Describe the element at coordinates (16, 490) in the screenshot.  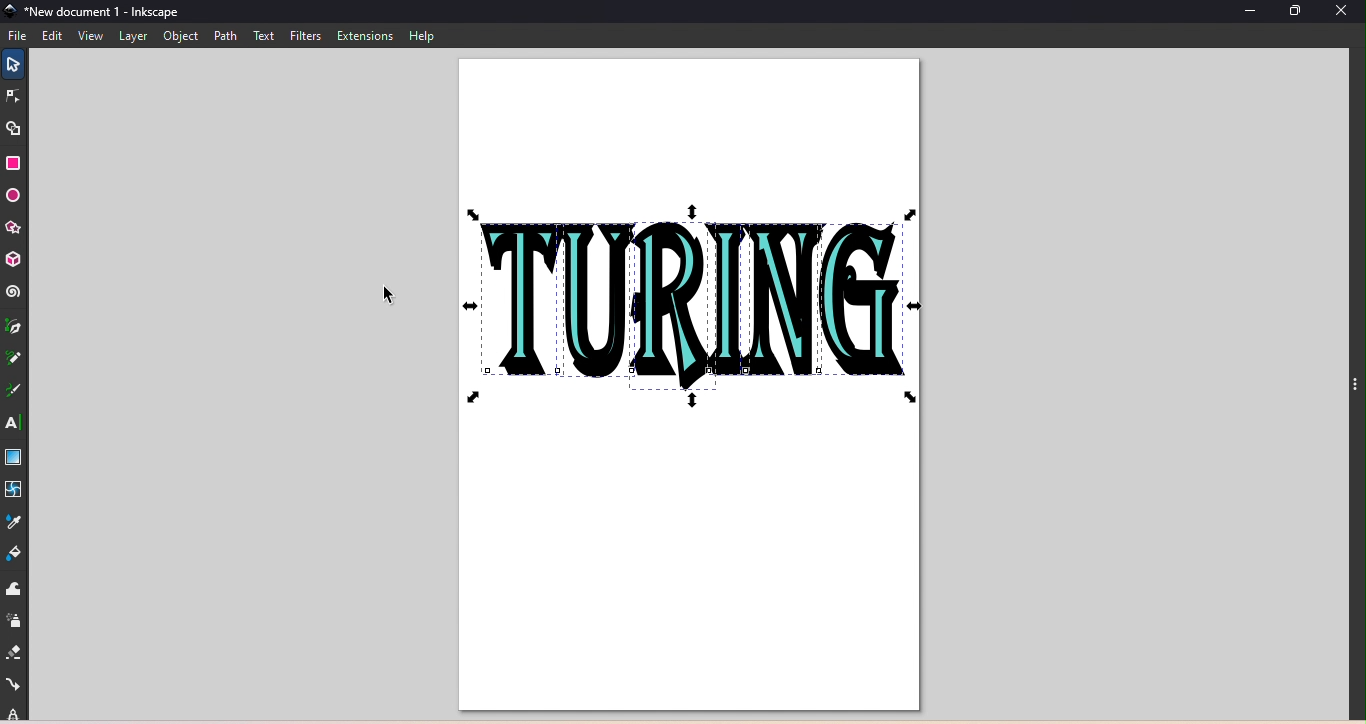
I see `Mesh tool` at that location.